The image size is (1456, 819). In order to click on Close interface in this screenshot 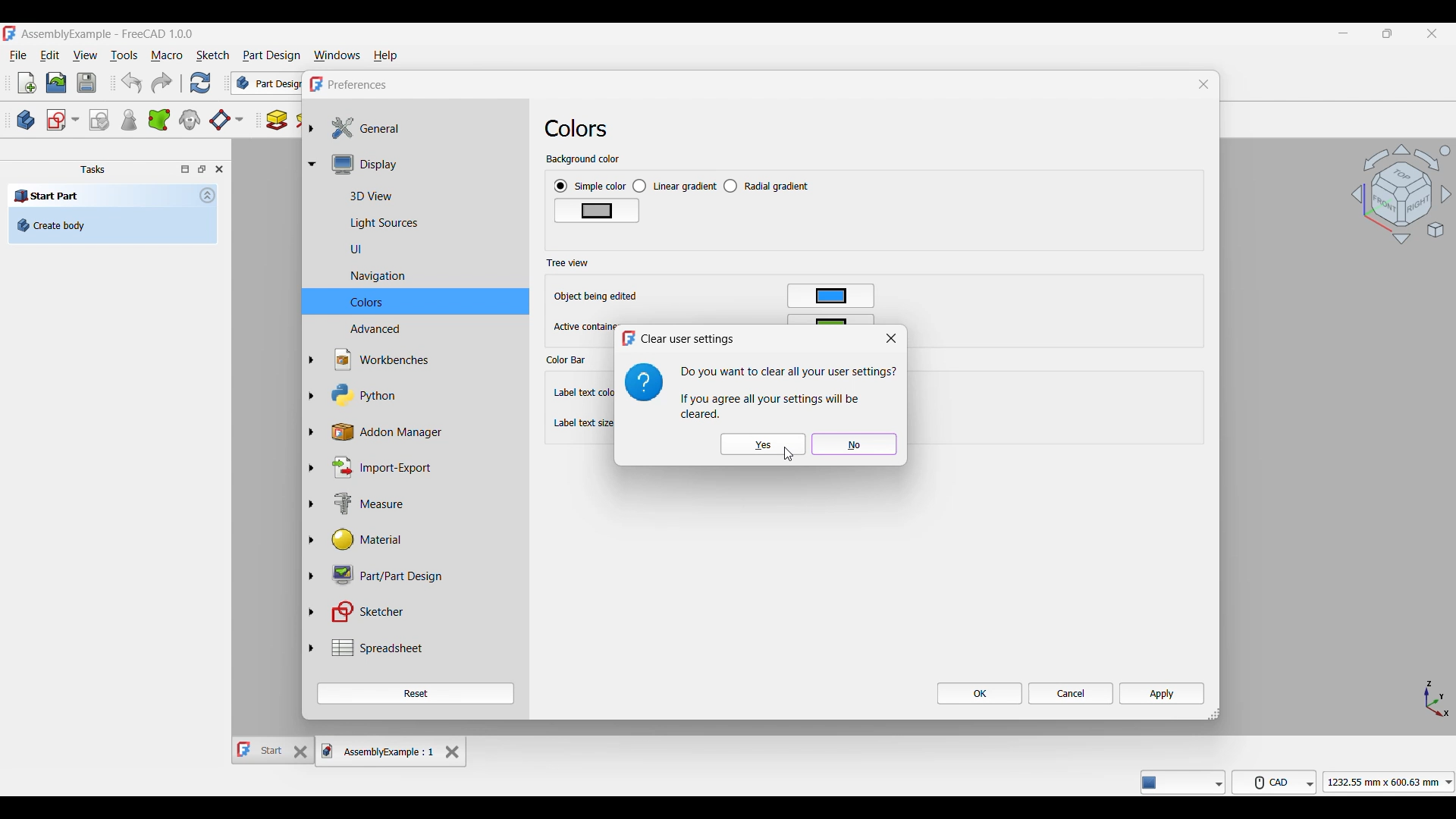, I will do `click(1432, 33)`.